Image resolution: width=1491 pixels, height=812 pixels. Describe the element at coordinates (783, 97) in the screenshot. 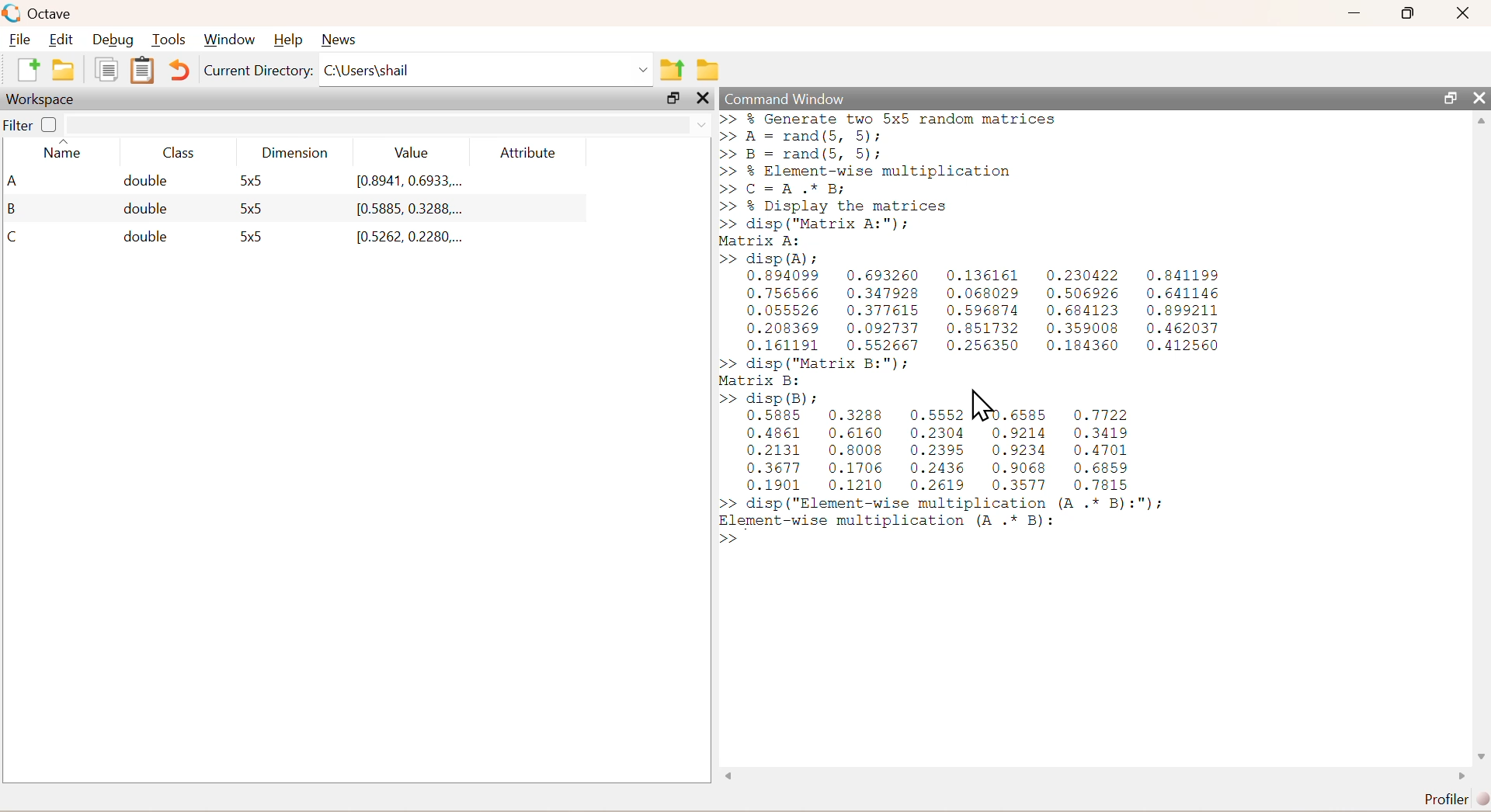

I see `Command Window` at that location.